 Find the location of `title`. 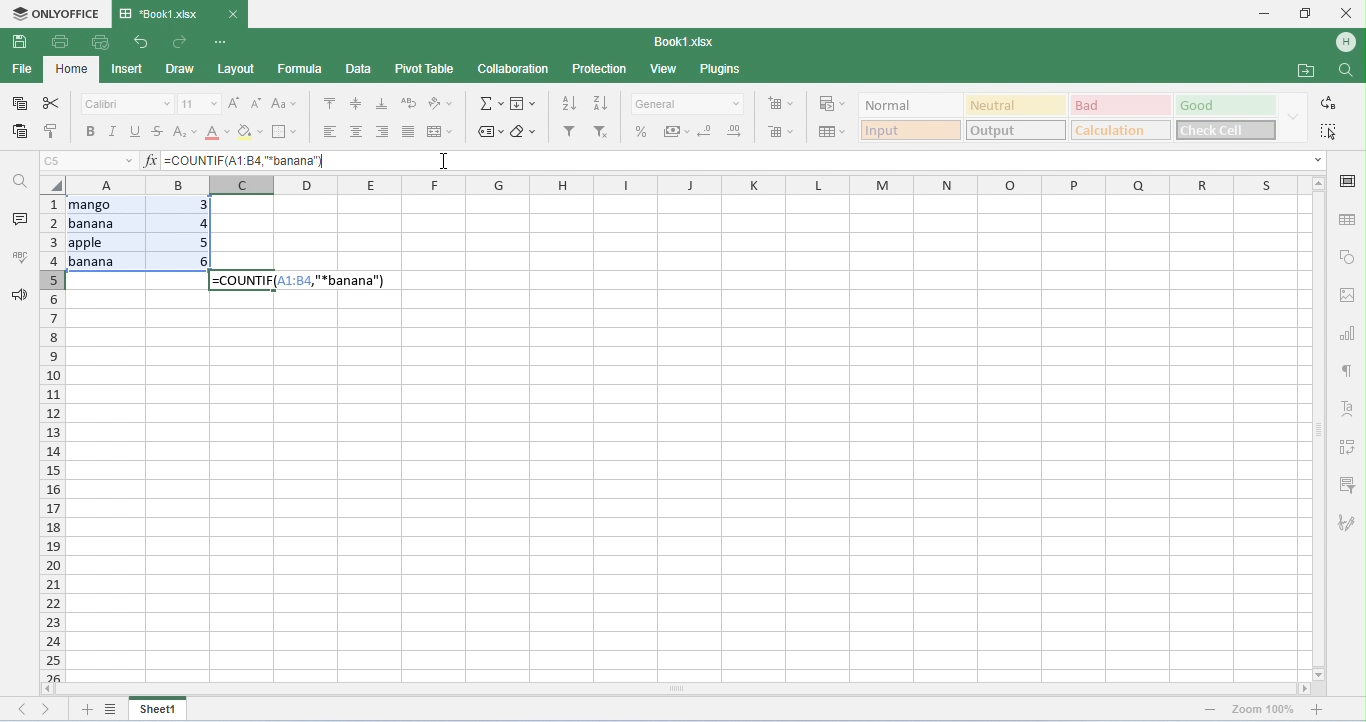

title is located at coordinates (160, 13).